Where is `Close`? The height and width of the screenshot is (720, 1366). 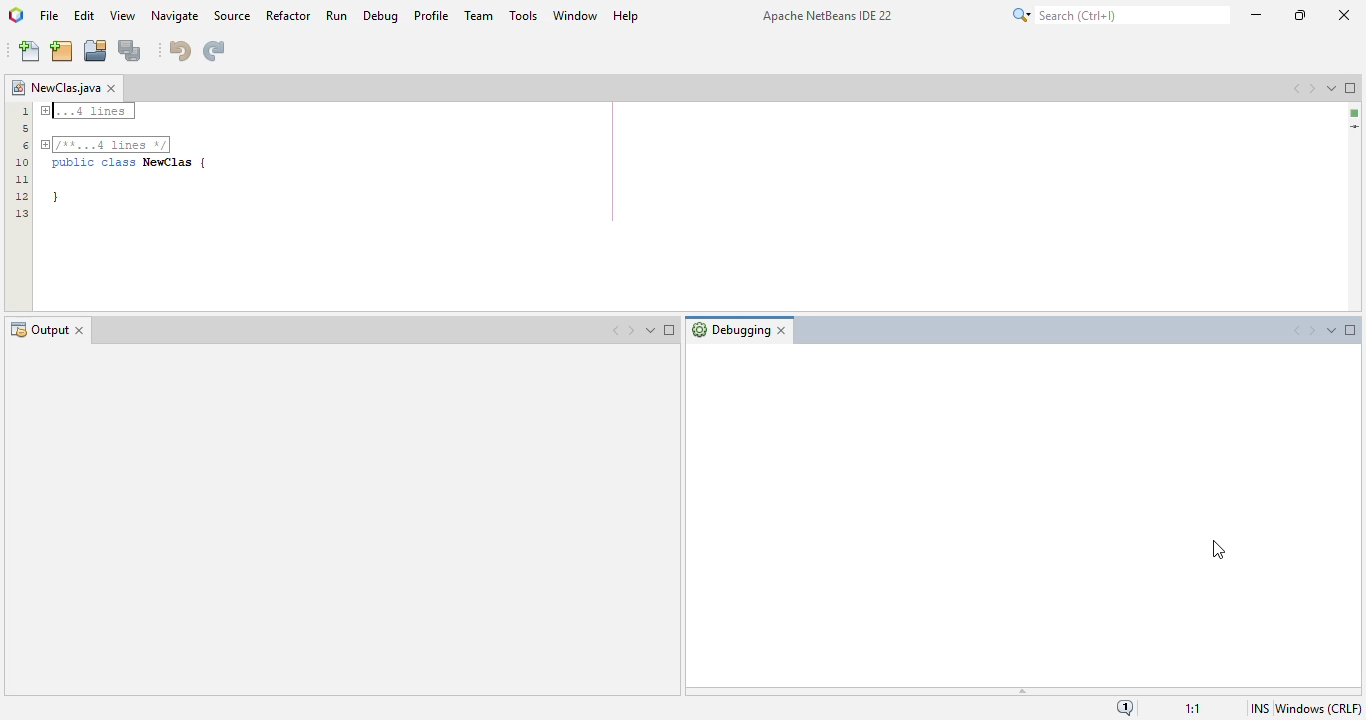
Close is located at coordinates (83, 329).